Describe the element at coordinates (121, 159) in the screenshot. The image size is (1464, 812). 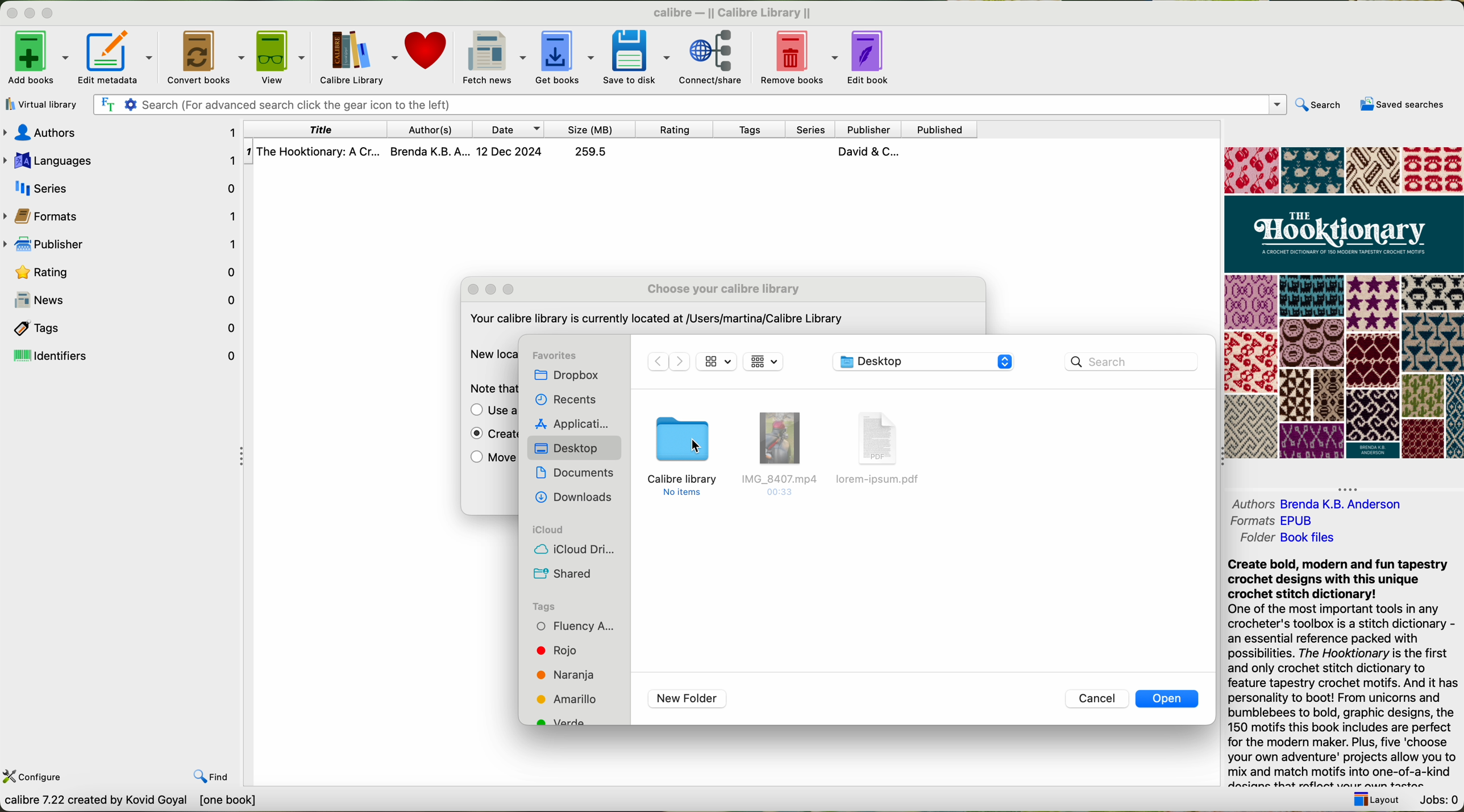
I see `languages` at that location.